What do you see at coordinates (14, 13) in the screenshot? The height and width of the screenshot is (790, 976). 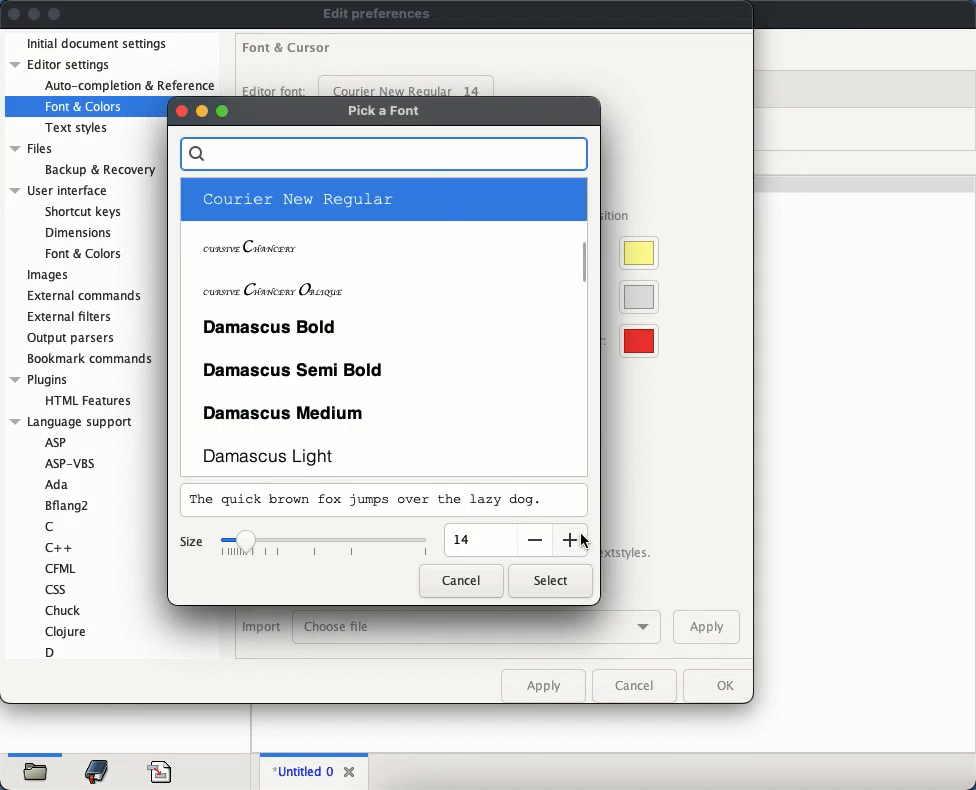 I see `close` at bounding box center [14, 13].